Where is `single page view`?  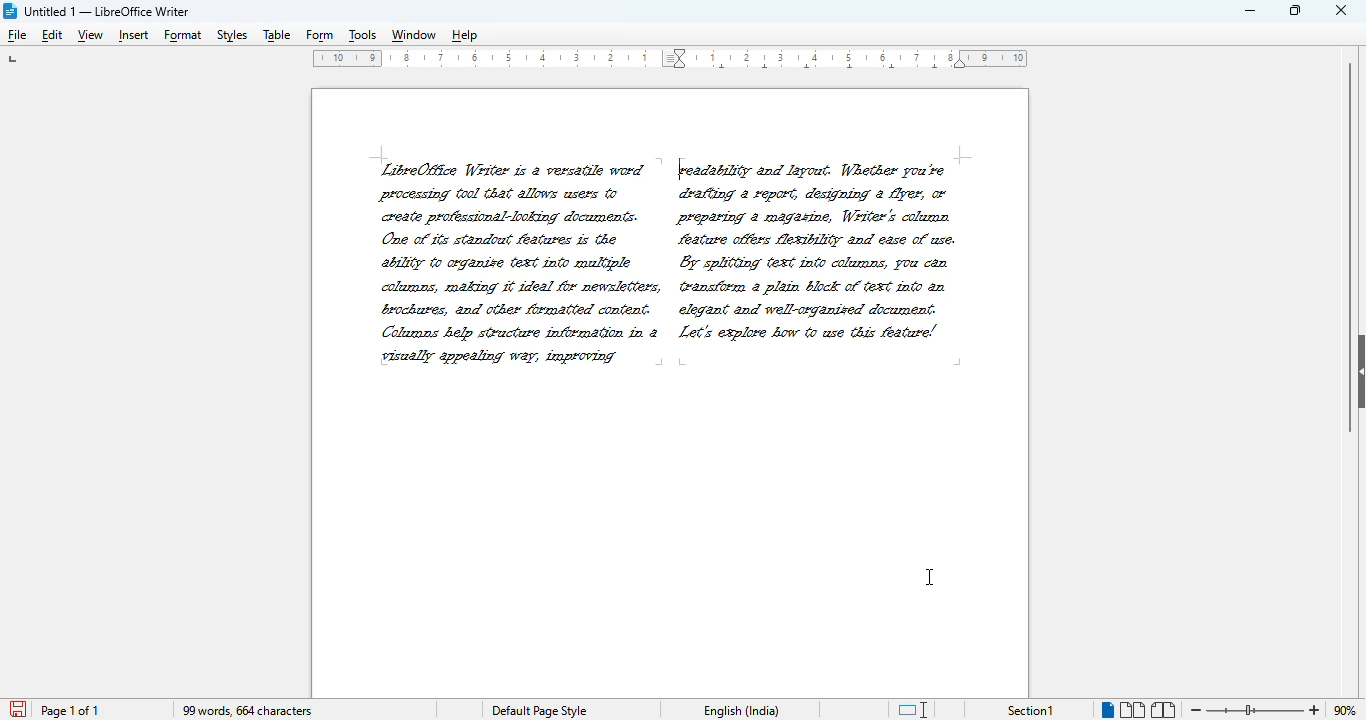
single page view is located at coordinates (1105, 710).